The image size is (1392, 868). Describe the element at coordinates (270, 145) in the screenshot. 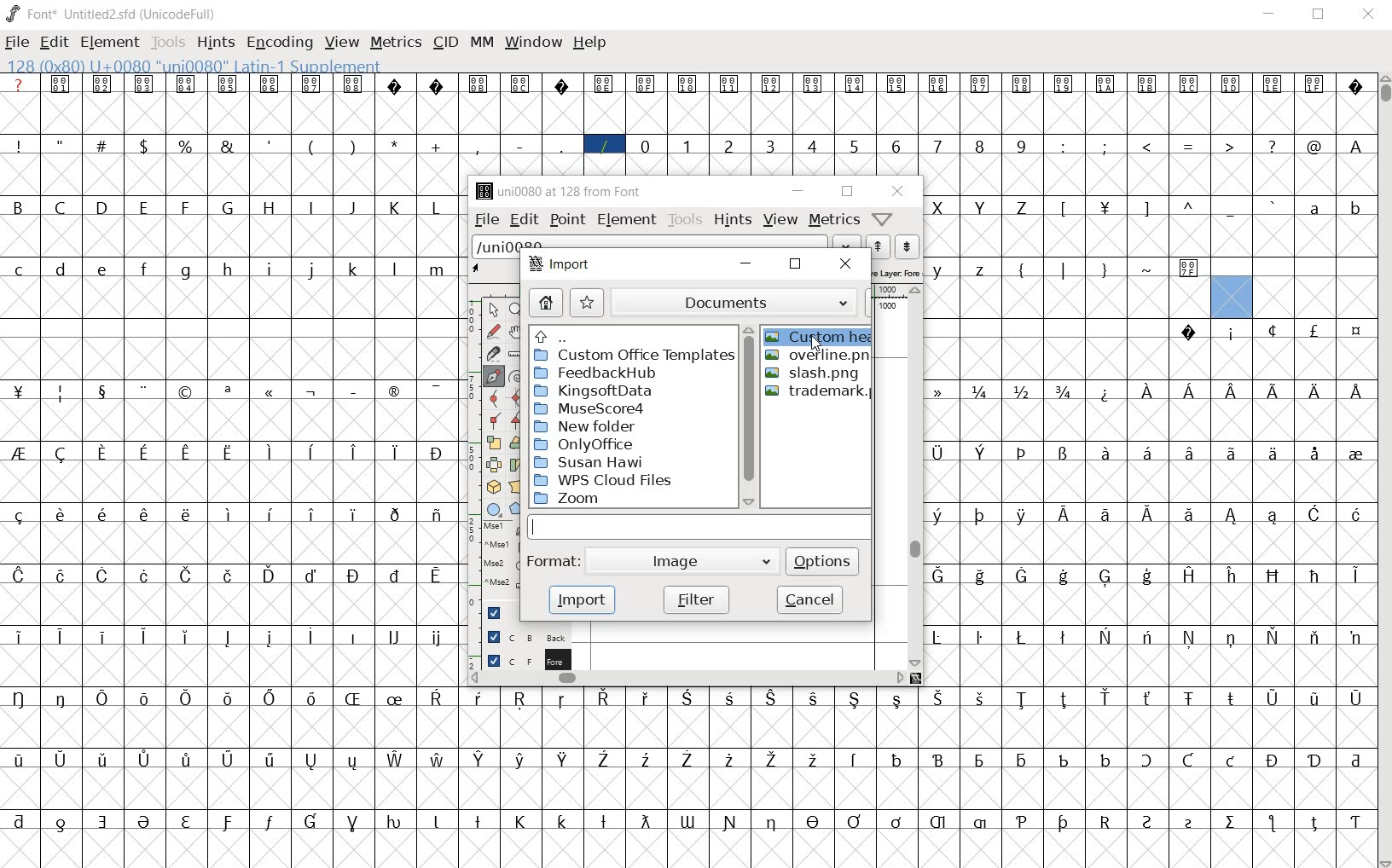

I see `glyph` at that location.